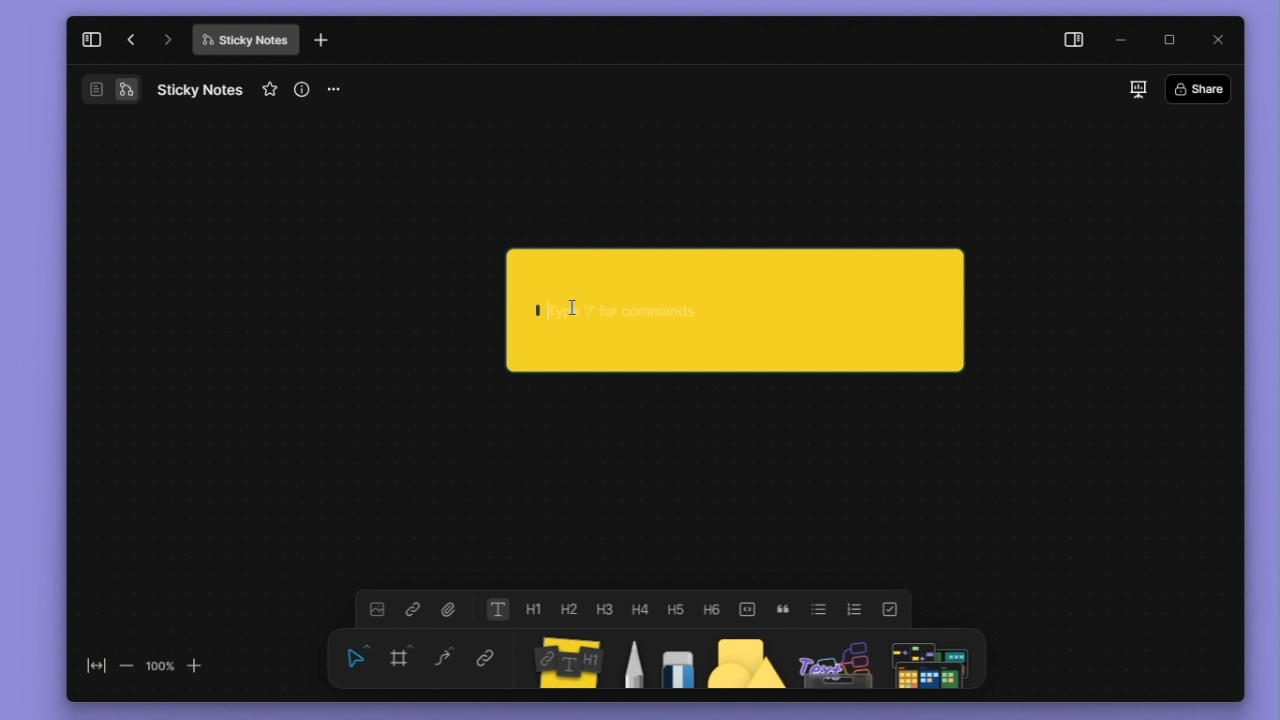  What do you see at coordinates (743, 659) in the screenshot?
I see `shape` at bounding box center [743, 659].